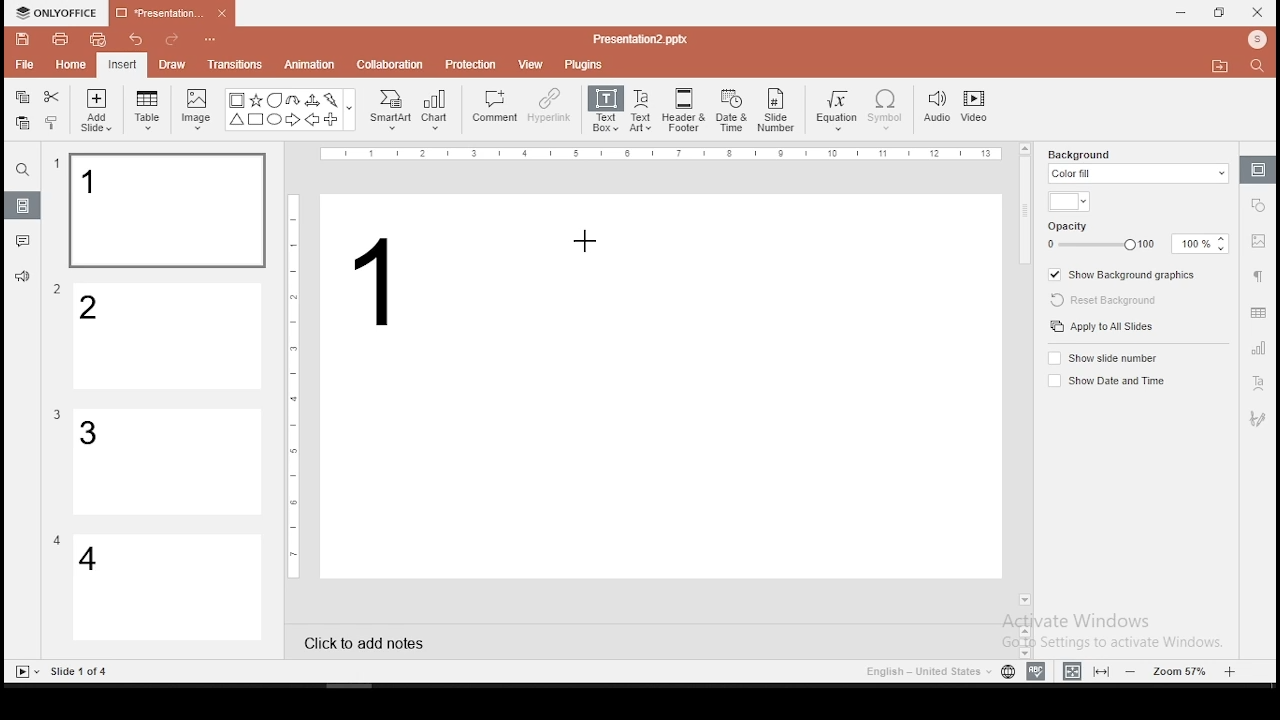  What do you see at coordinates (392, 63) in the screenshot?
I see `collaboration` at bounding box center [392, 63].